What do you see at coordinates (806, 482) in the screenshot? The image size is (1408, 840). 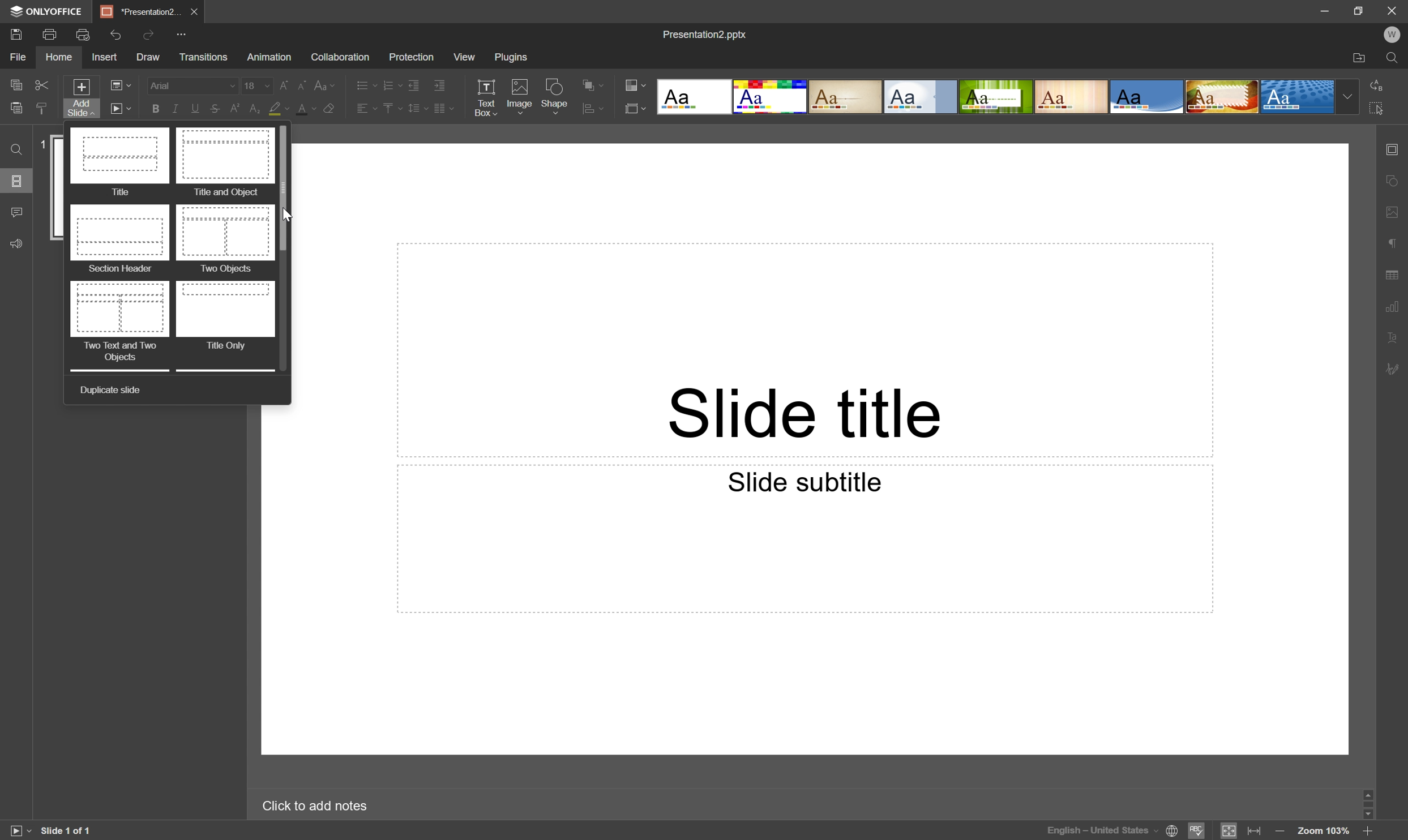 I see `Slide subtitle` at bounding box center [806, 482].